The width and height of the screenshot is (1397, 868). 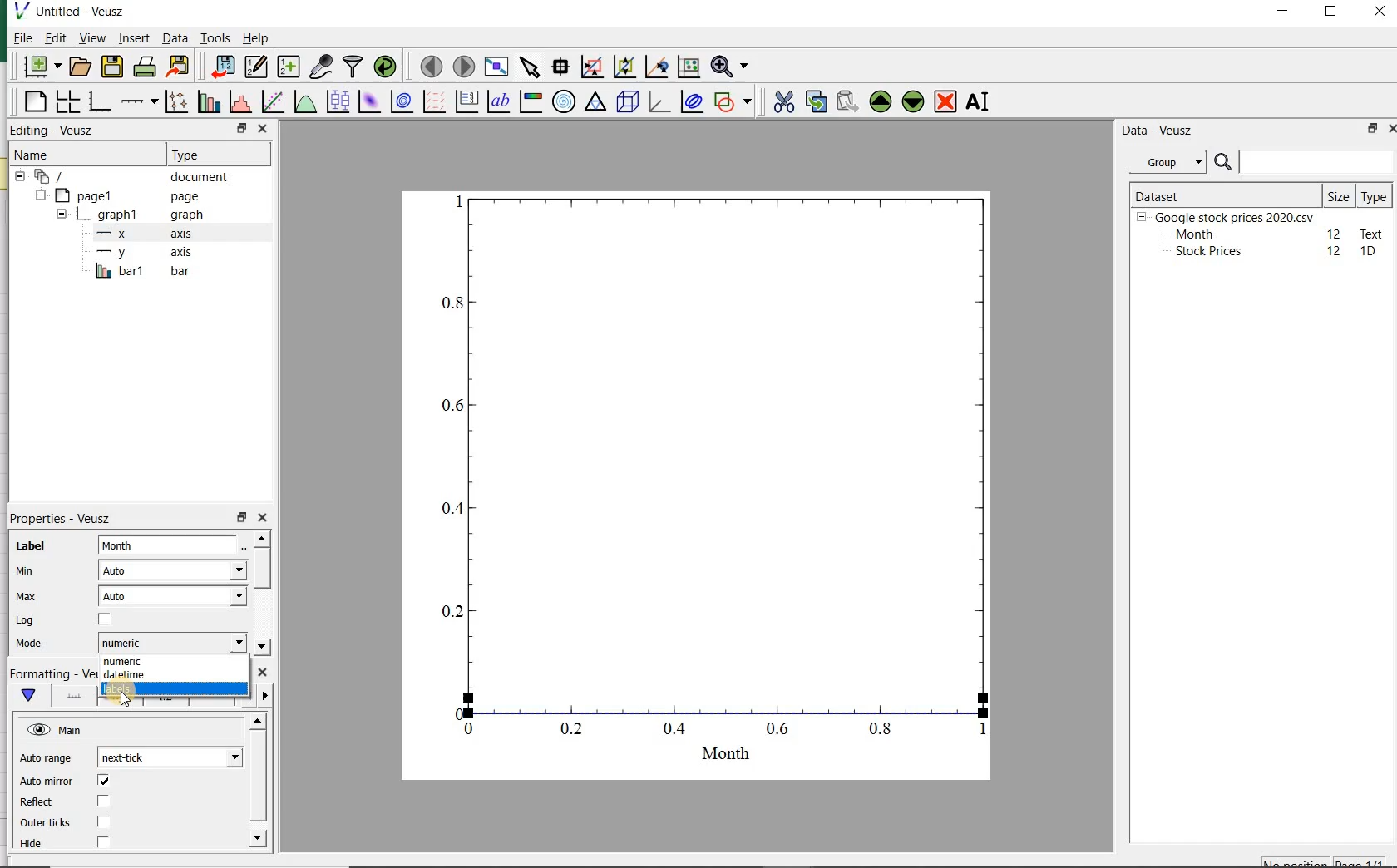 What do you see at coordinates (1370, 252) in the screenshot?
I see `1D` at bounding box center [1370, 252].